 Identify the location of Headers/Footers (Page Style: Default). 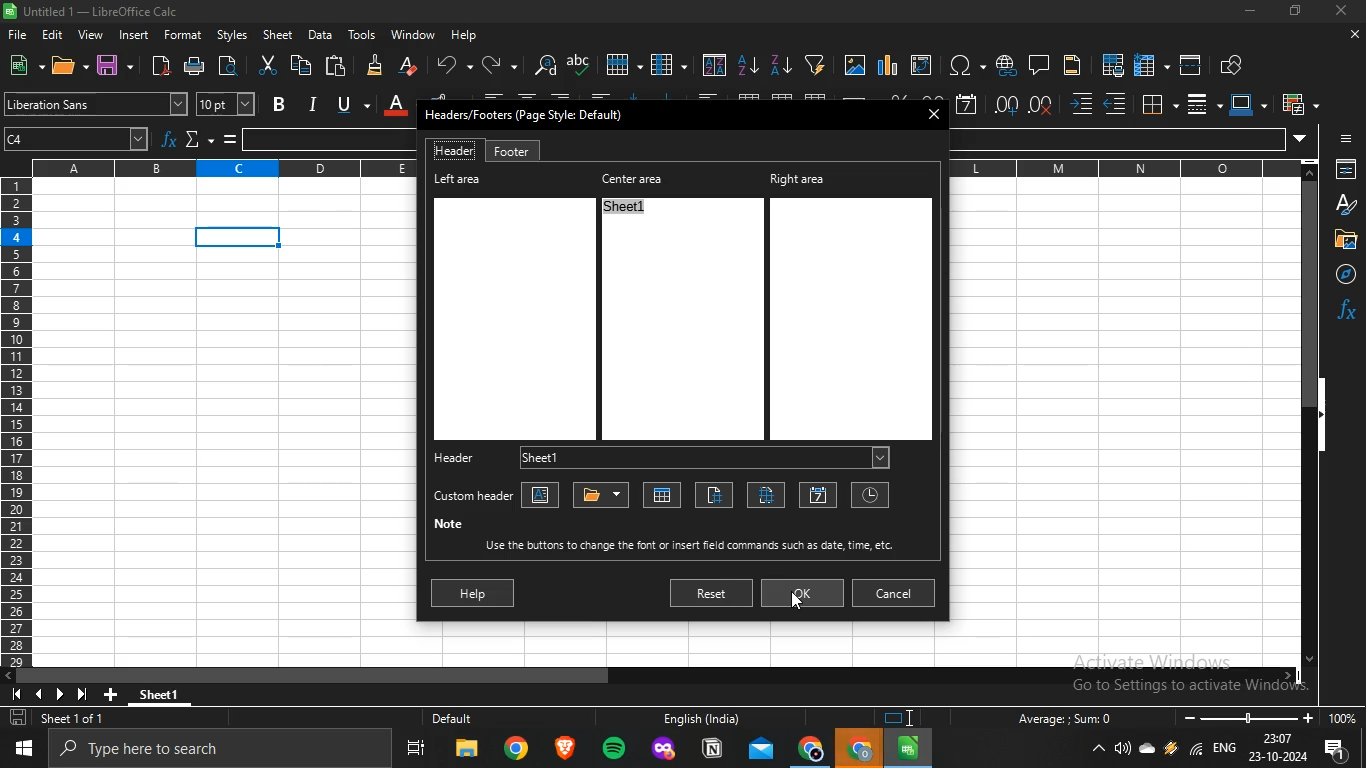
(526, 114).